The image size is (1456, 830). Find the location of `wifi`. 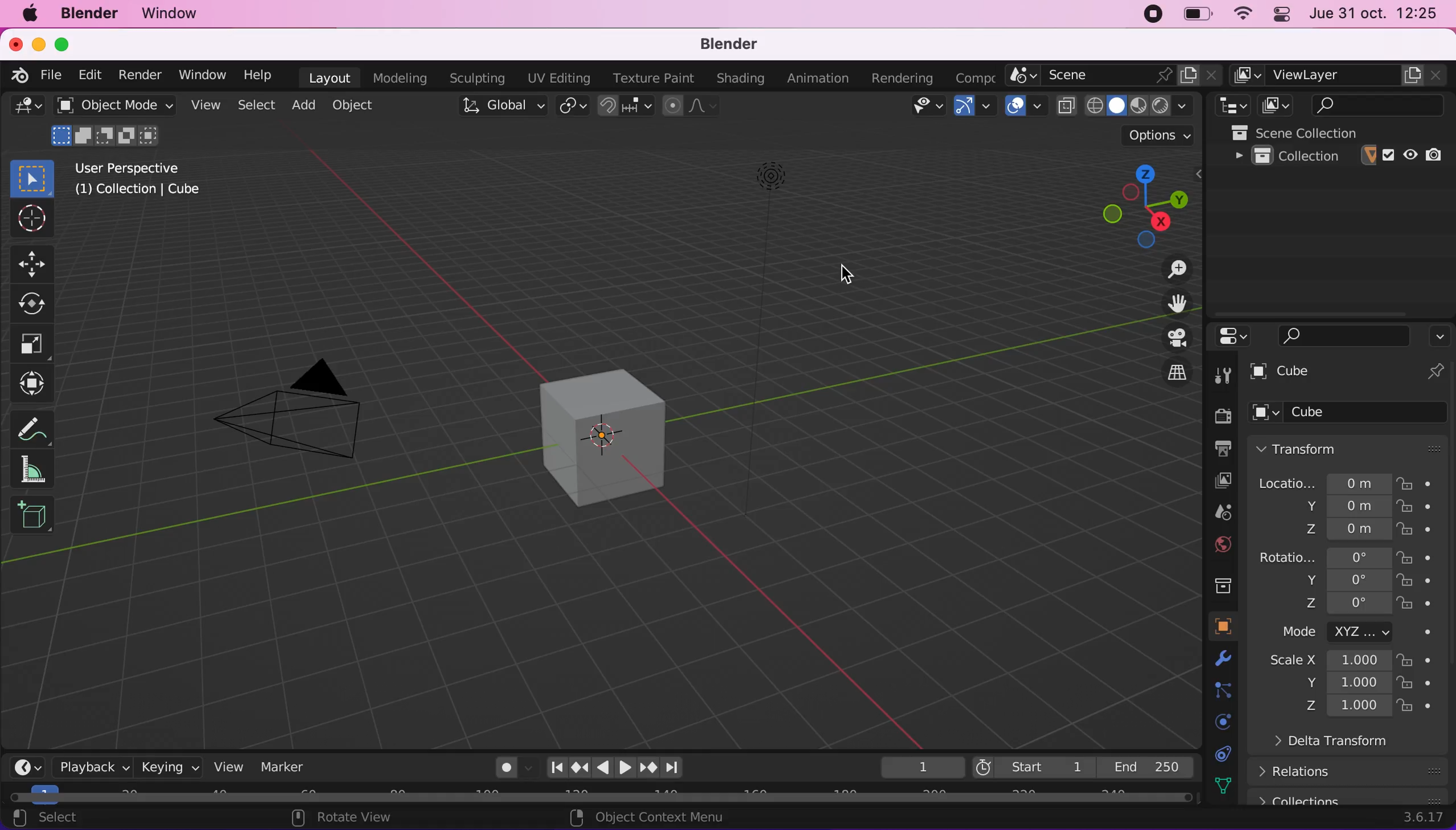

wifi is located at coordinates (1241, 14).